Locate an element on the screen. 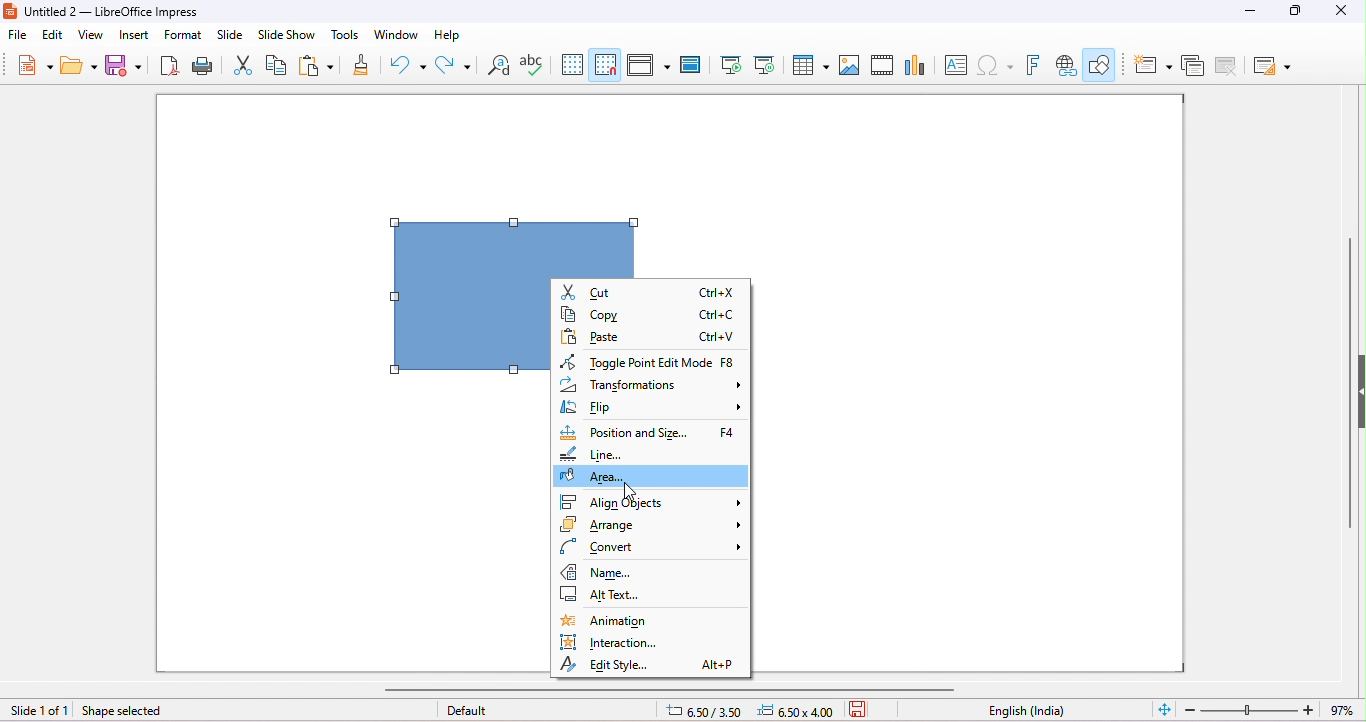 The width and height of the screenshot is (1366, 722). clone is located at coordinates (362, 63).